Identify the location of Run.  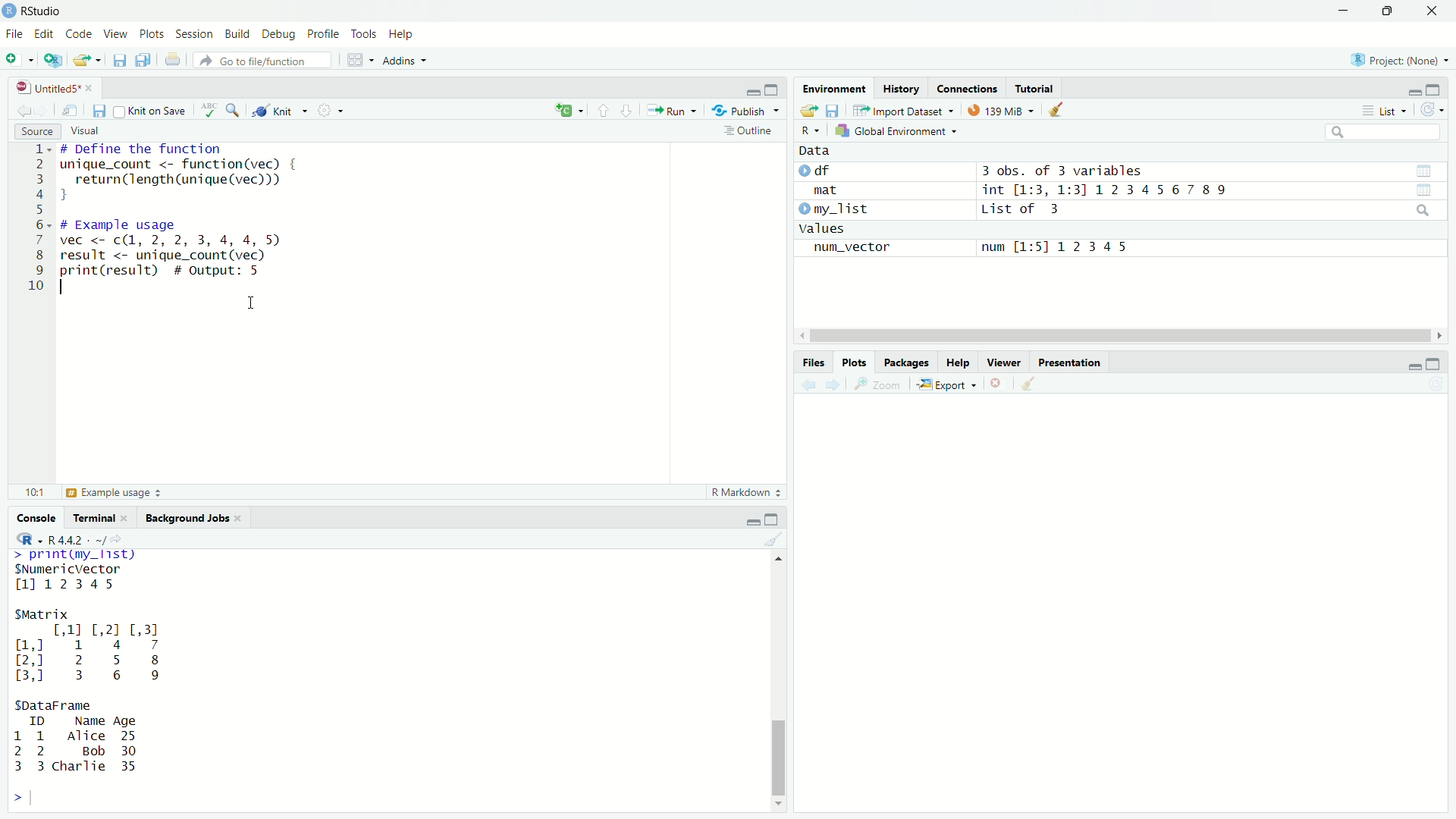
(672, 111).